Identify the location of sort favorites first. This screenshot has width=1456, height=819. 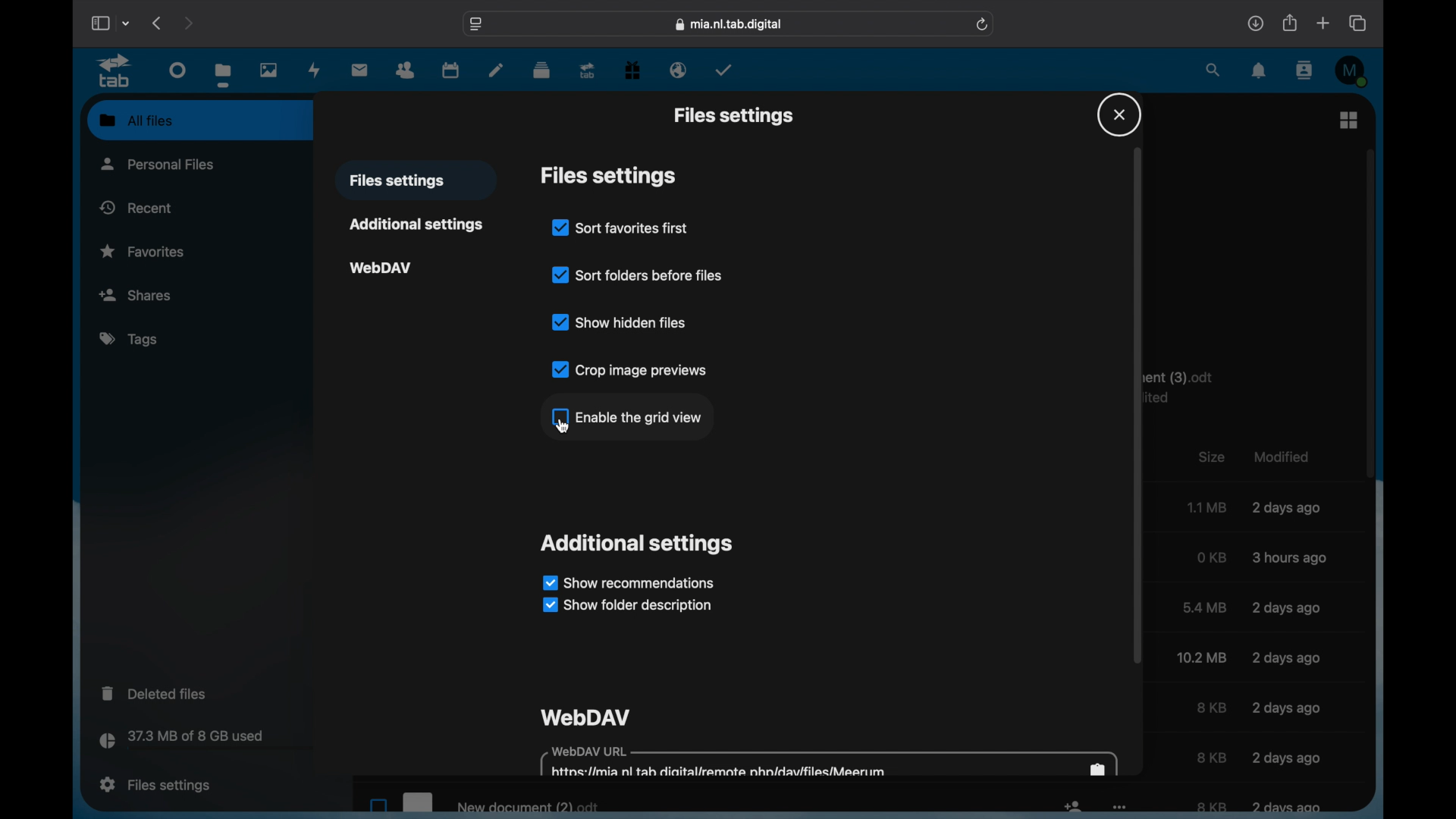
(620, 227).